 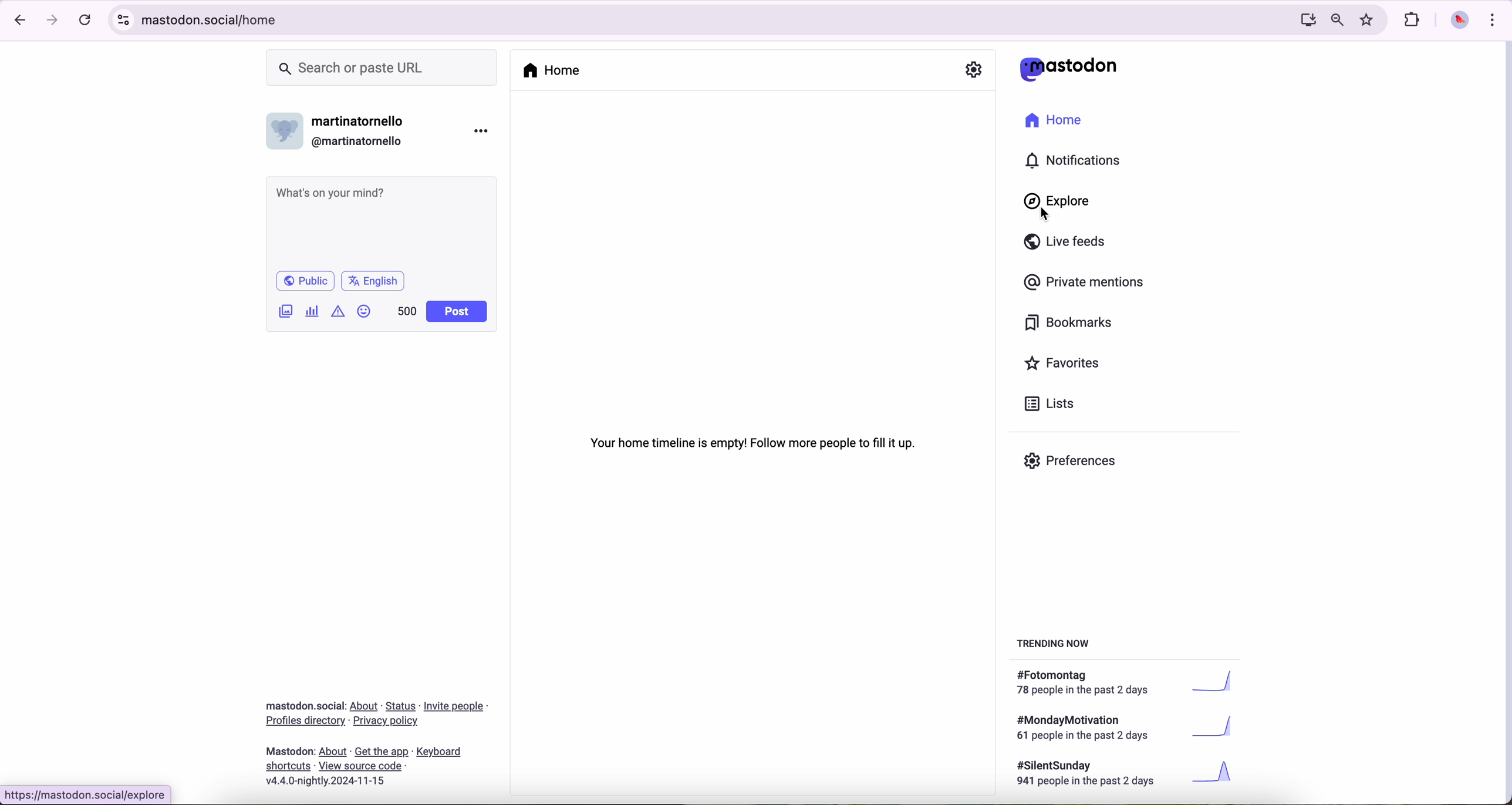 What do you see at coordinates (86, 21) in the screenshot?
I see `refresh page` at bounding box center [86, 21].